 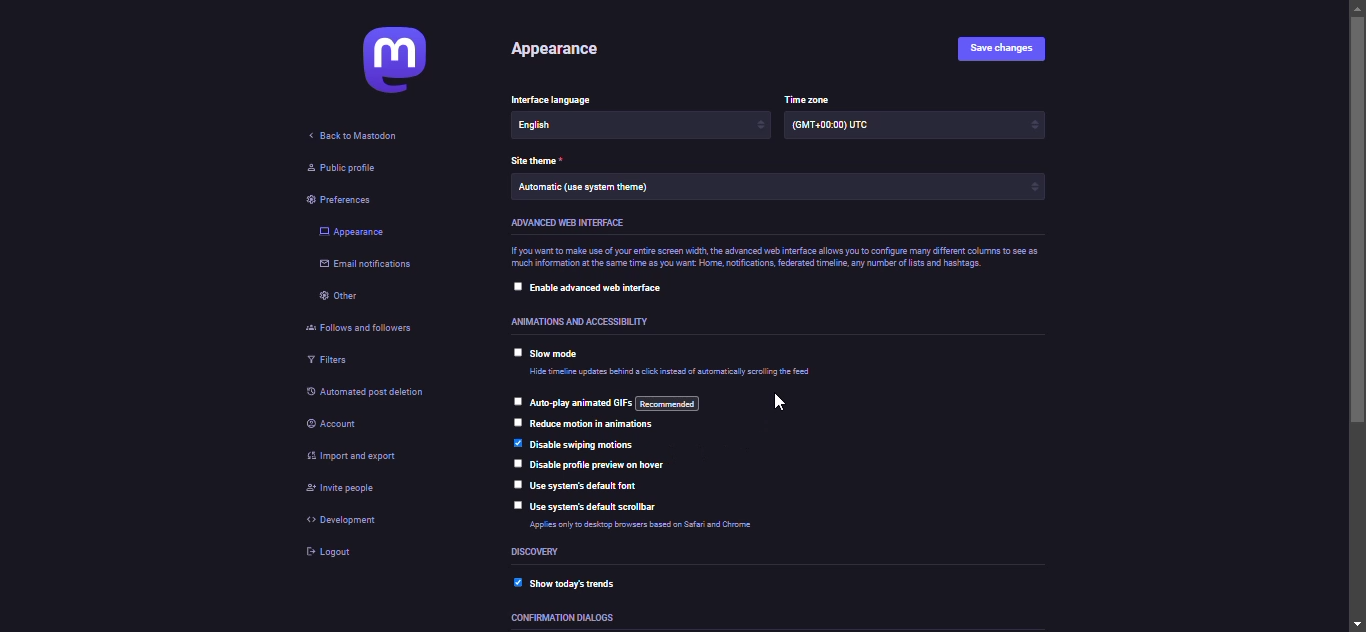 What do you see at coordinates (619, 404) in the screenshot?
I see `auto play animated gif's` at bounding box center [619, 404].